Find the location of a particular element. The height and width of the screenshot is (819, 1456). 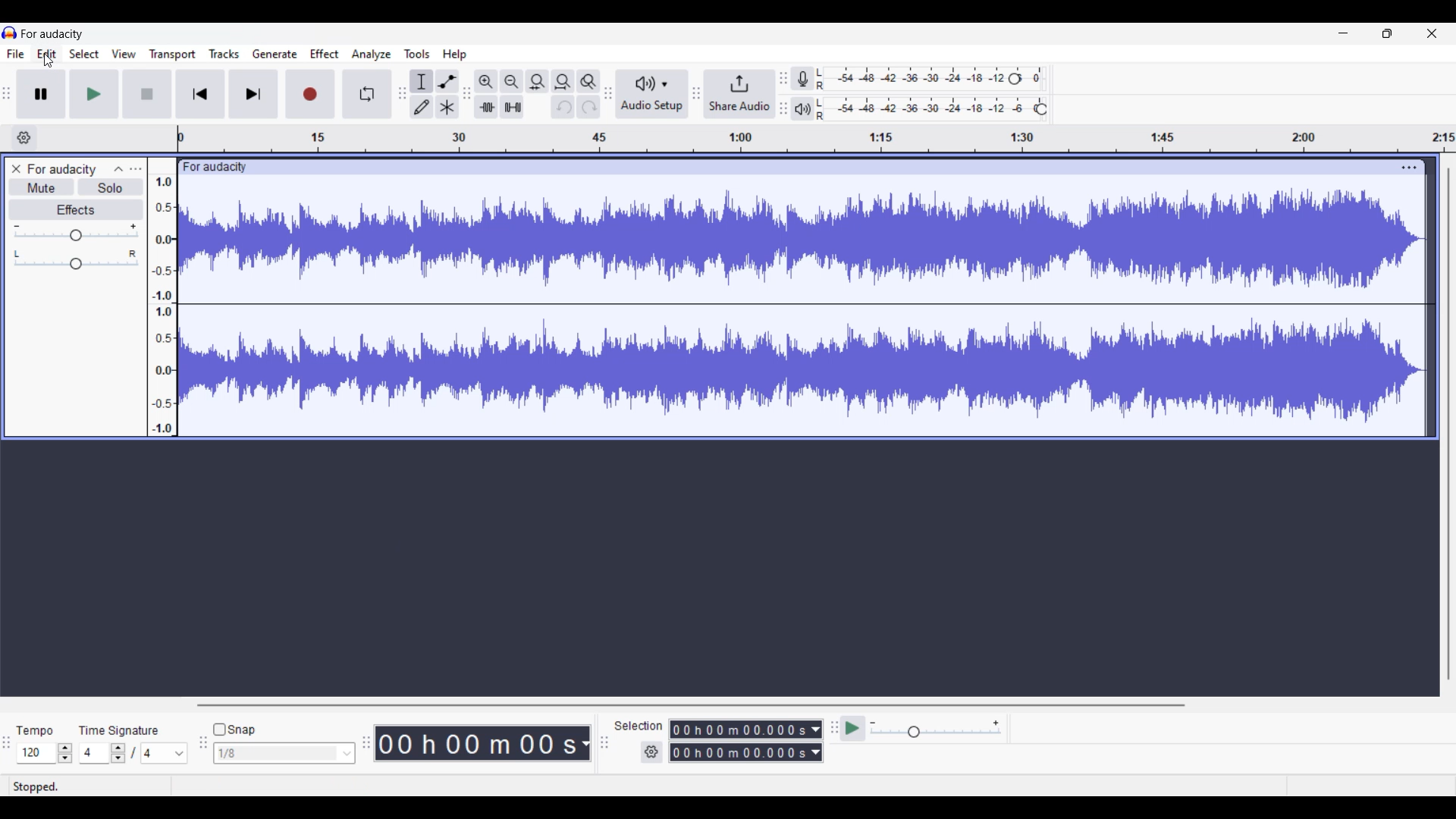

Indicates time signature settings is located at coordinates (119, 730).